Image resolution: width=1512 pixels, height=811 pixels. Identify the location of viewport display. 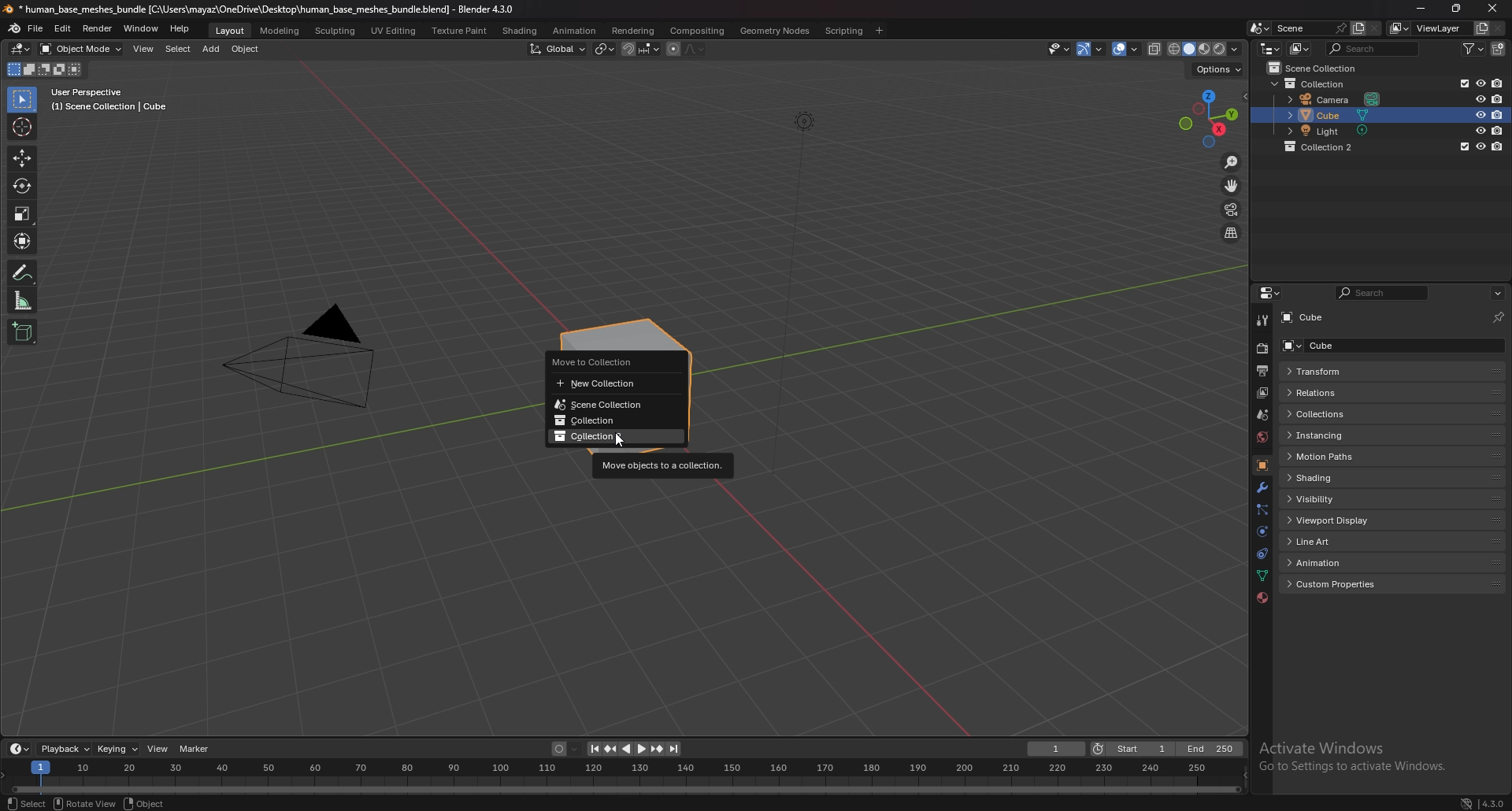
(1343, 520).